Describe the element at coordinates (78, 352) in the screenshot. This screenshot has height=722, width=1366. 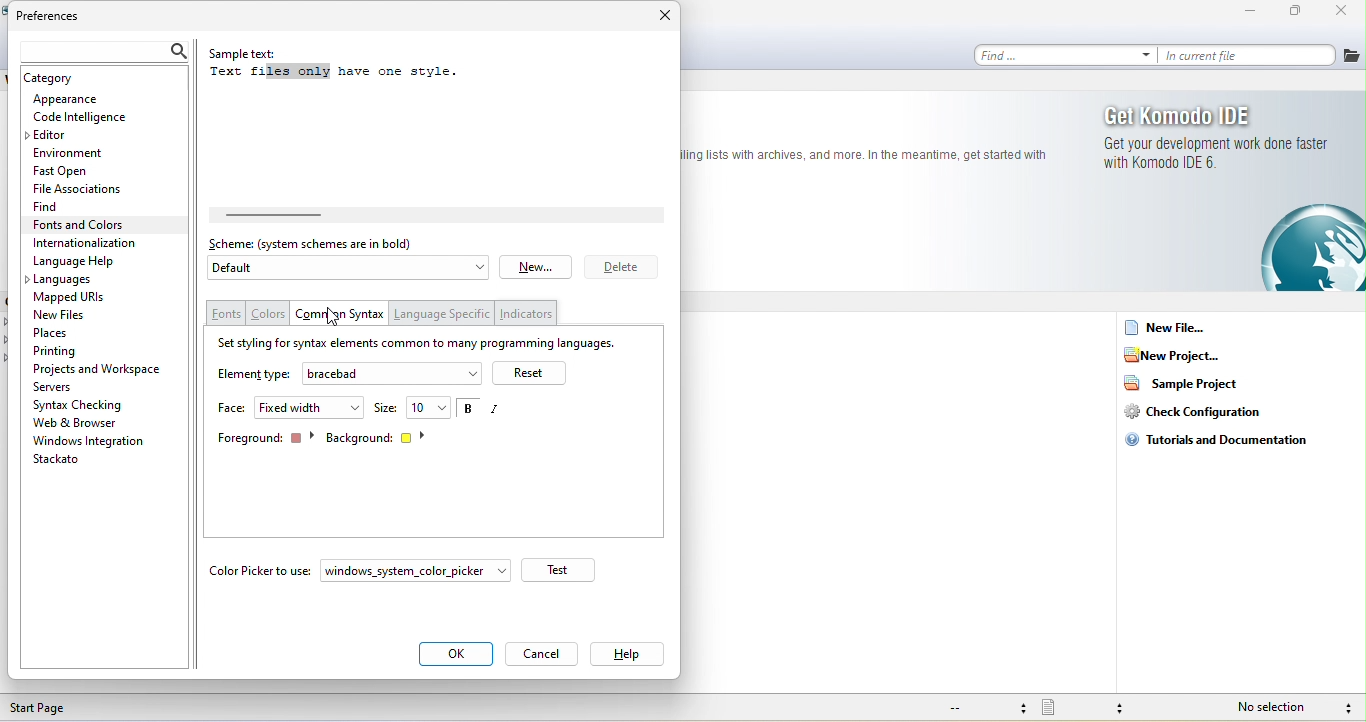
I see `printing` at that location.